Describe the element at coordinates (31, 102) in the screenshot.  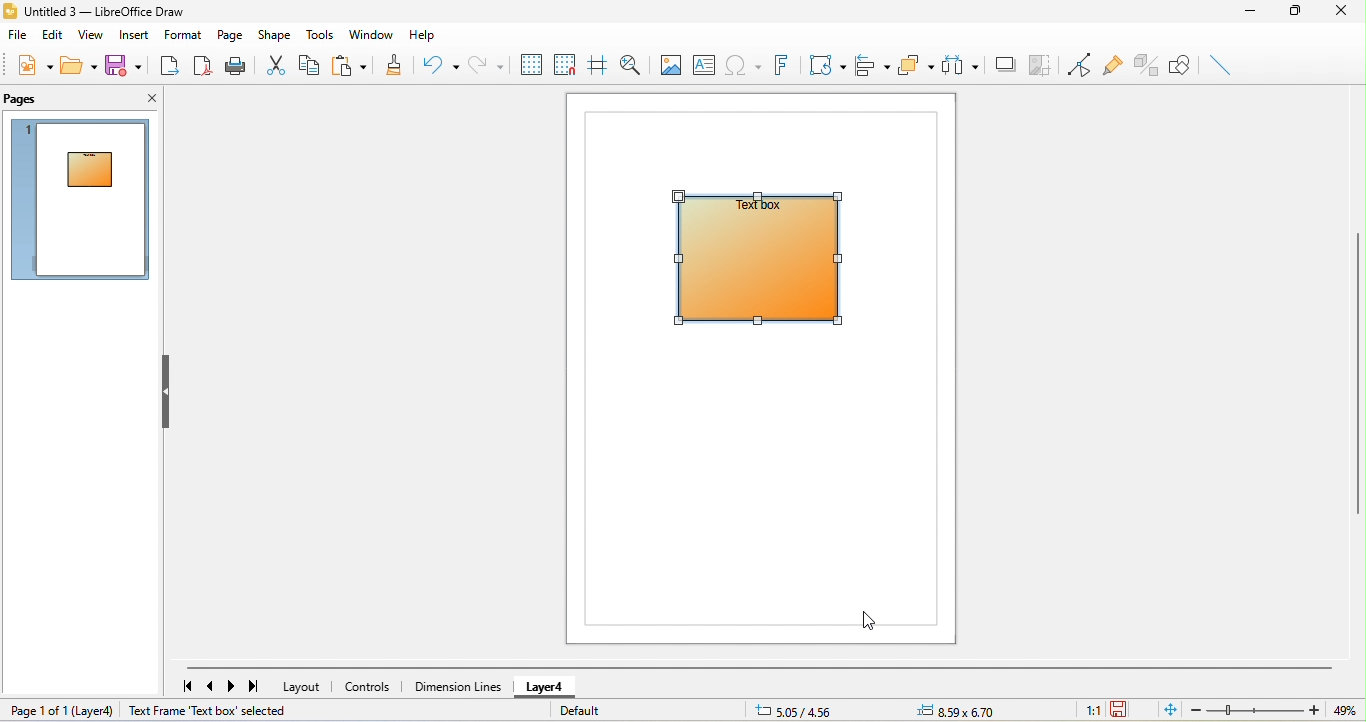
I see `pages` at that location.